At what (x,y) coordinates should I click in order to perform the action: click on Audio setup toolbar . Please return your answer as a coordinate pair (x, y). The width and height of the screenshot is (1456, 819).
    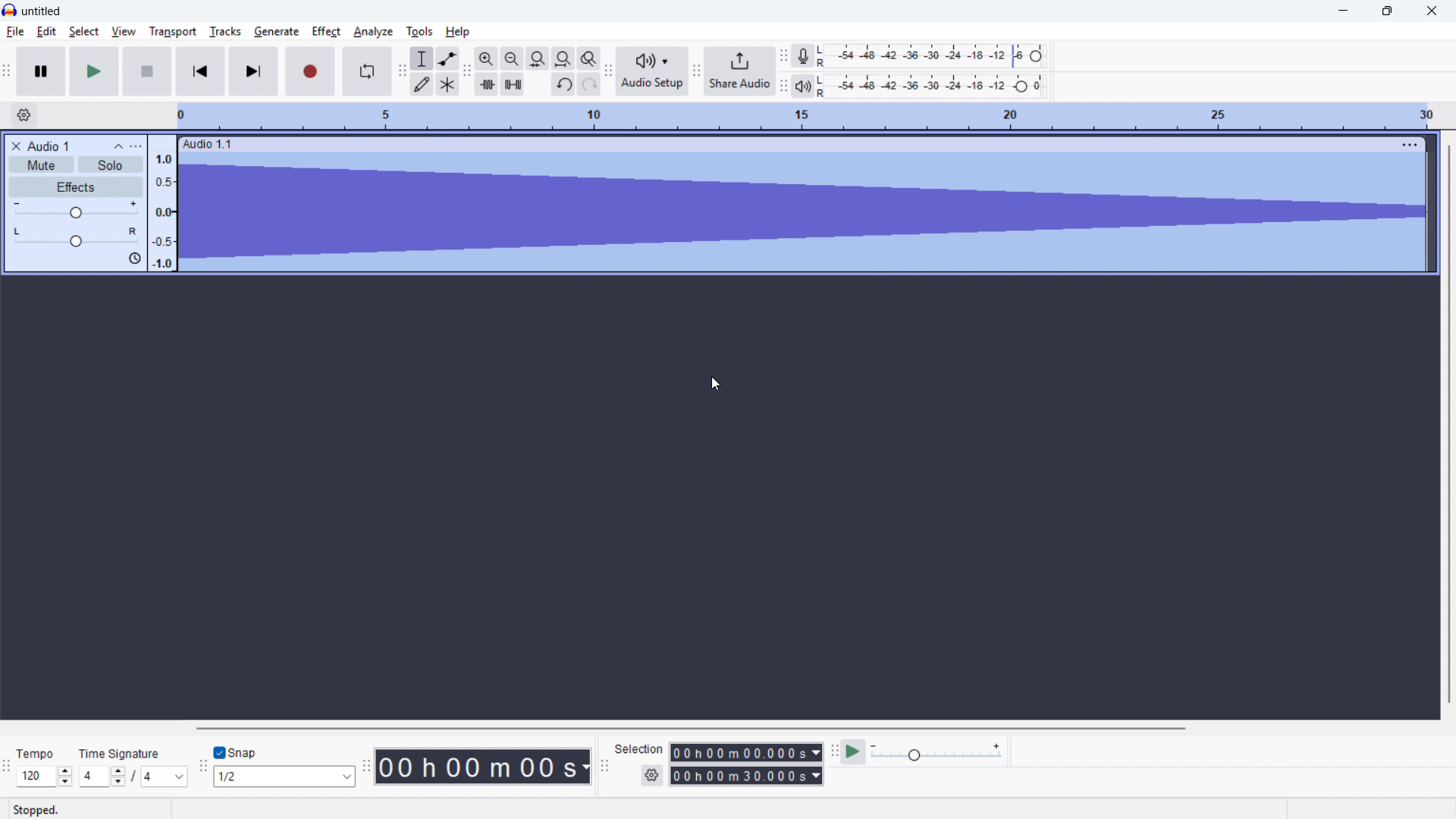
    Looking at the image, I should click on (608, 71).